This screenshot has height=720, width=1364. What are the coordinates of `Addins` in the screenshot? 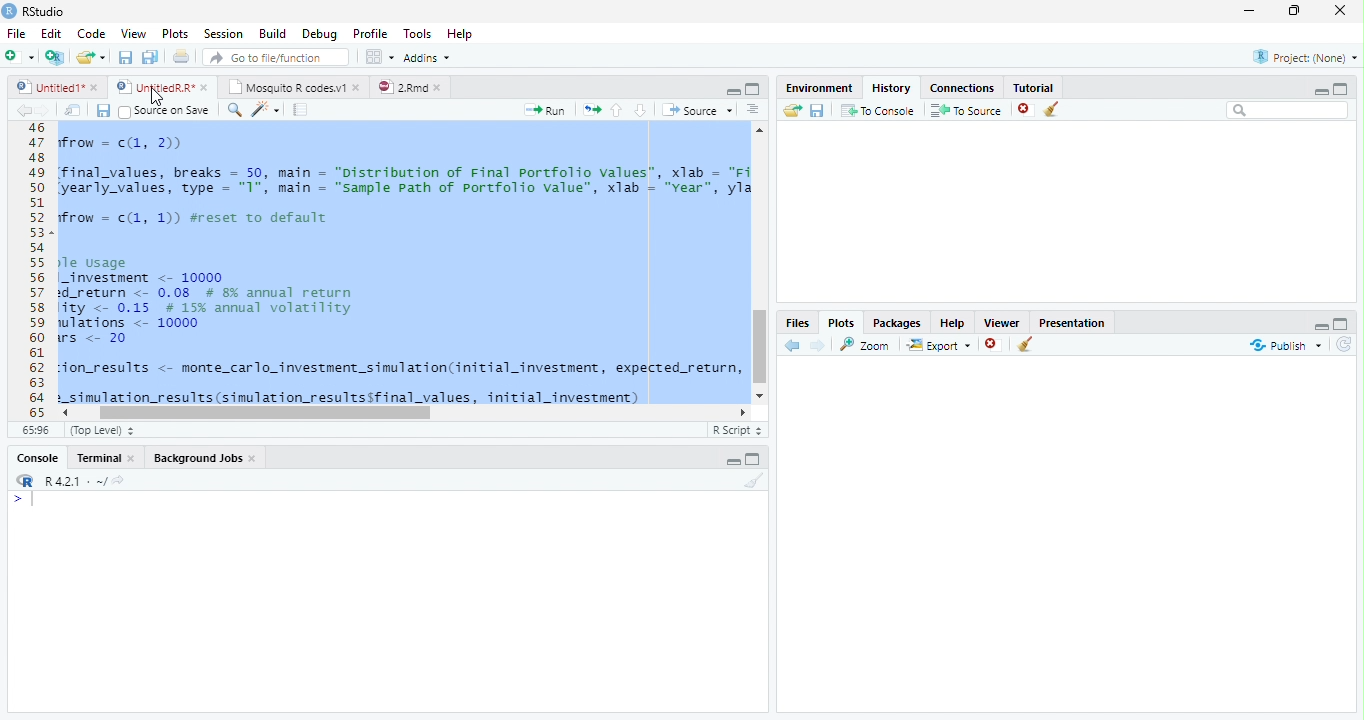 It's located at (428, 57).